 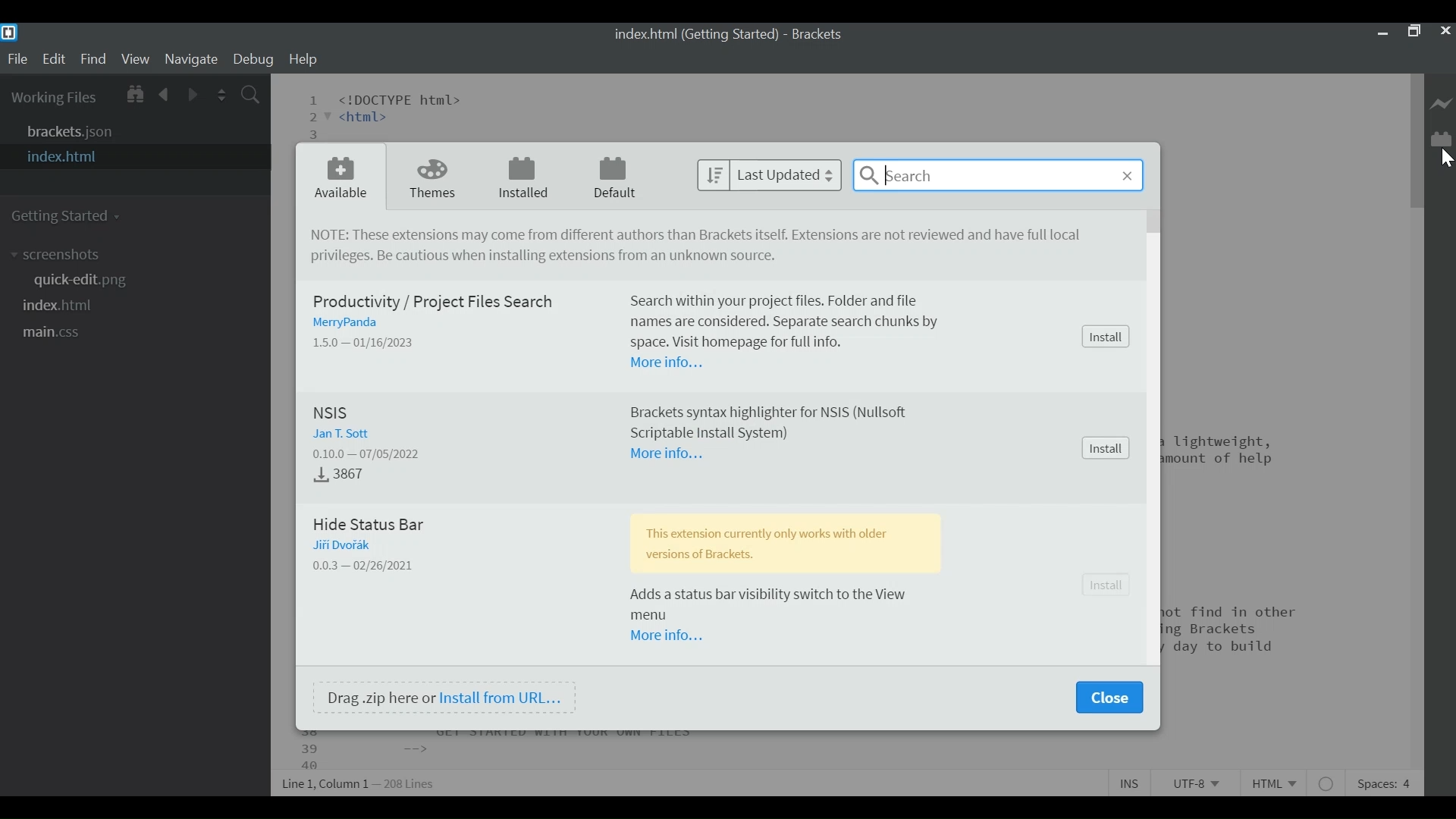 I want to click on File Type, so click(x=1278, y=781).